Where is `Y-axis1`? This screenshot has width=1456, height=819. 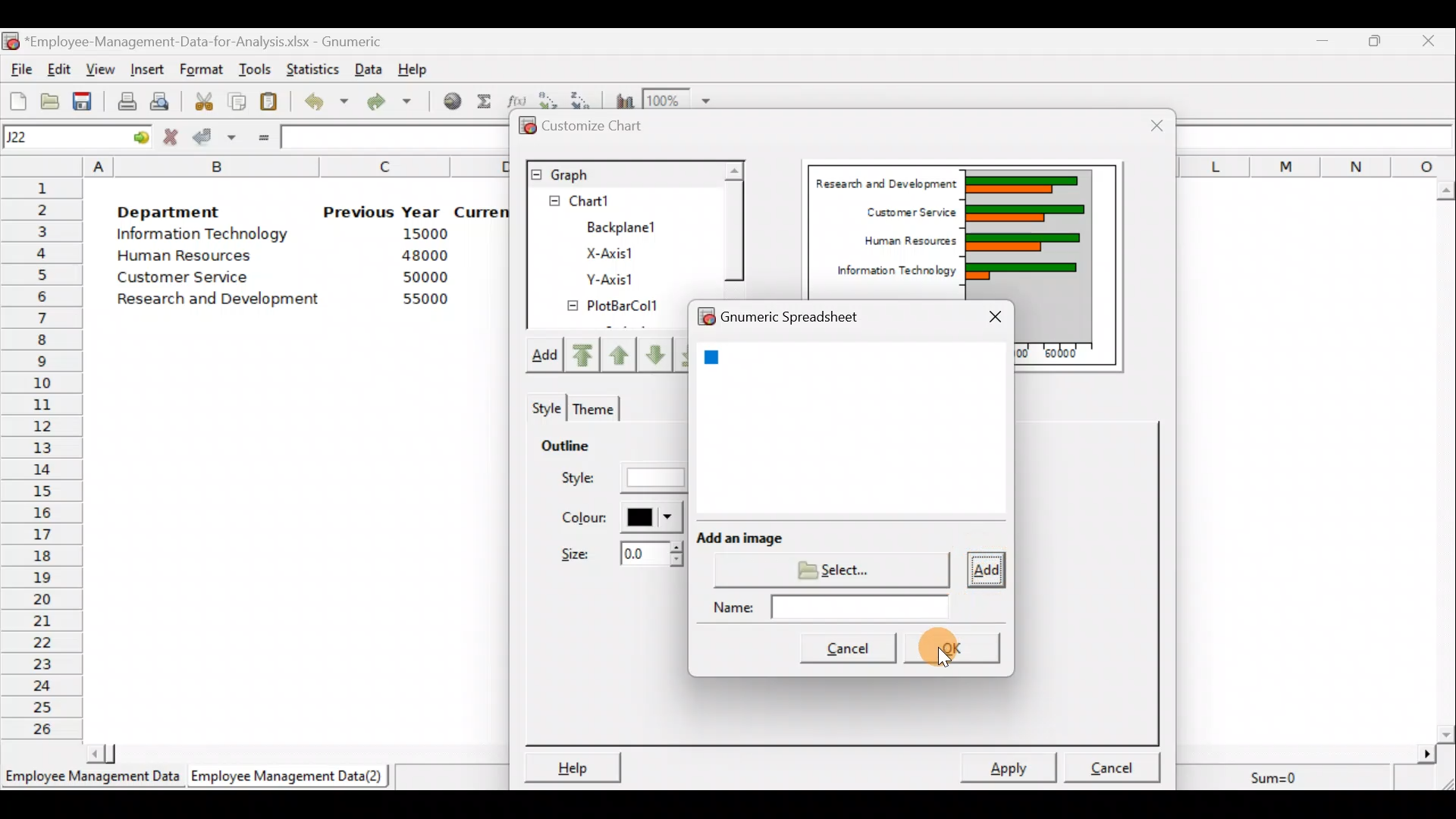 Y-axis1 is located at coordinates (608, 281).